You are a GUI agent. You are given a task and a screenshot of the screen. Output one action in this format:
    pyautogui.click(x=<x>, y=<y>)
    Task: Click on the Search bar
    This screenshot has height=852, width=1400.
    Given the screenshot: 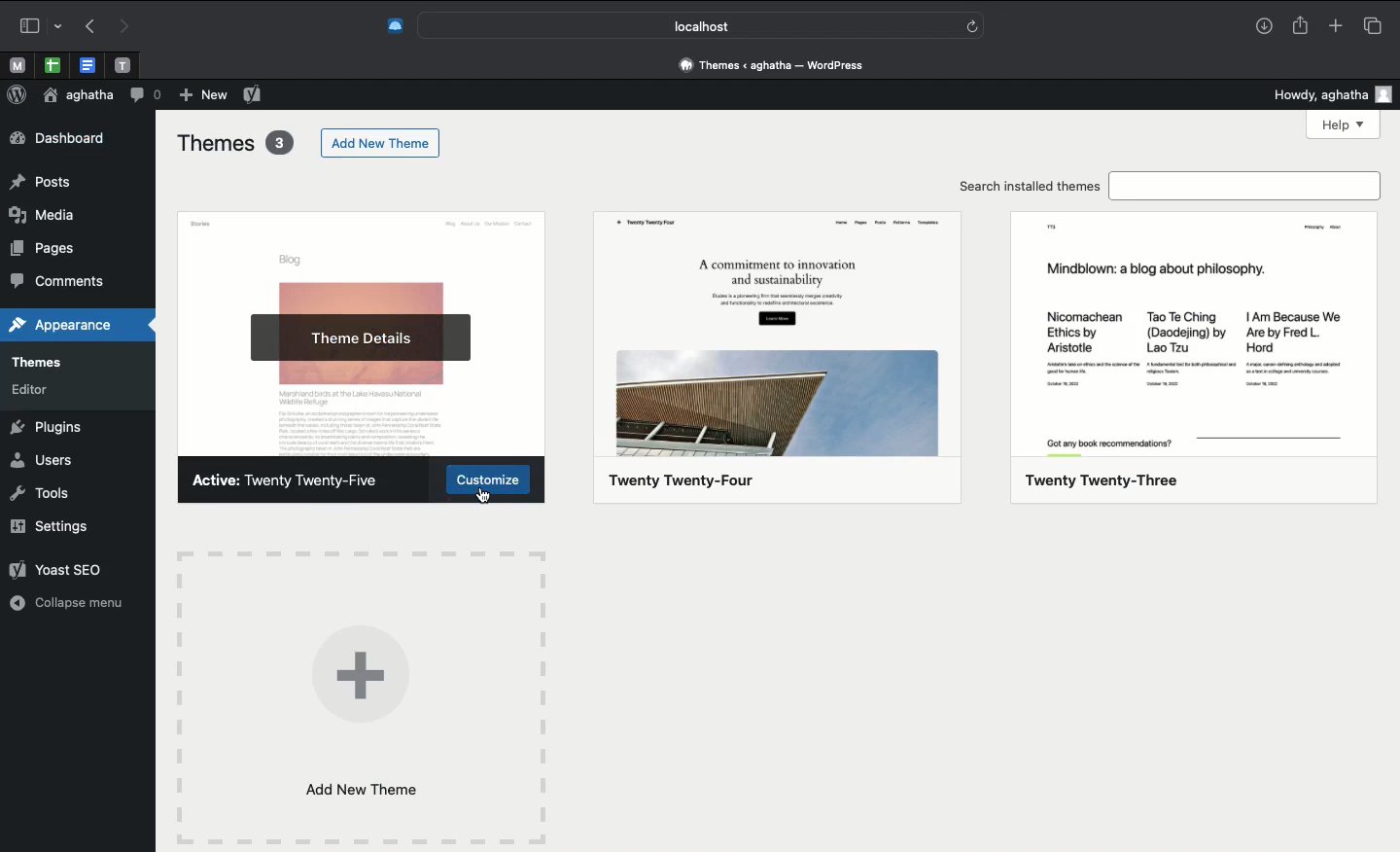 What is the action you would take?
    pyautogui.click(x=703, y=24)
    